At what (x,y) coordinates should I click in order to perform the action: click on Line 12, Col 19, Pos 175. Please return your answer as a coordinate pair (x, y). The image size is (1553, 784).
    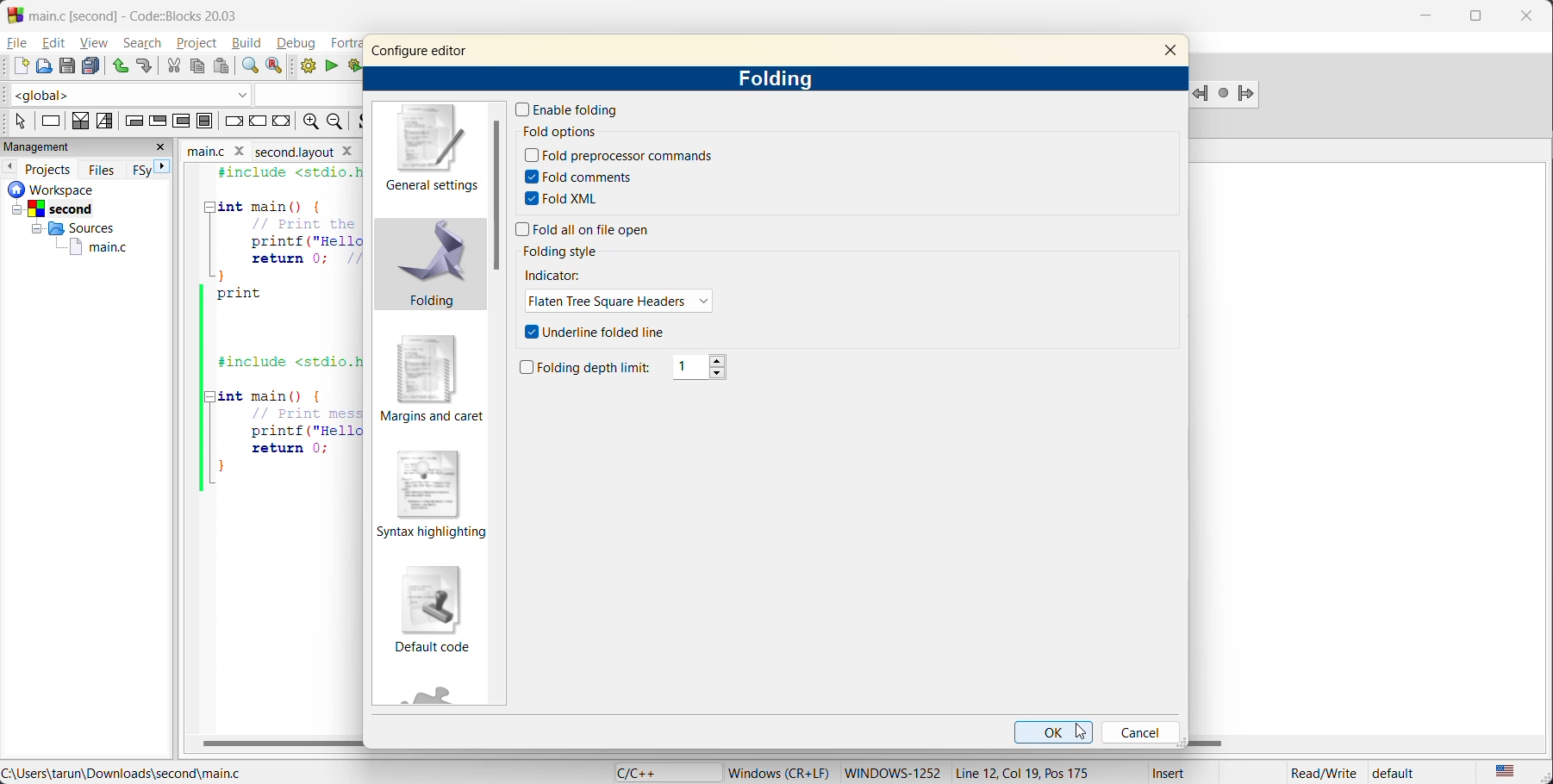
    Looking at the image, I should click on (1029, 769).